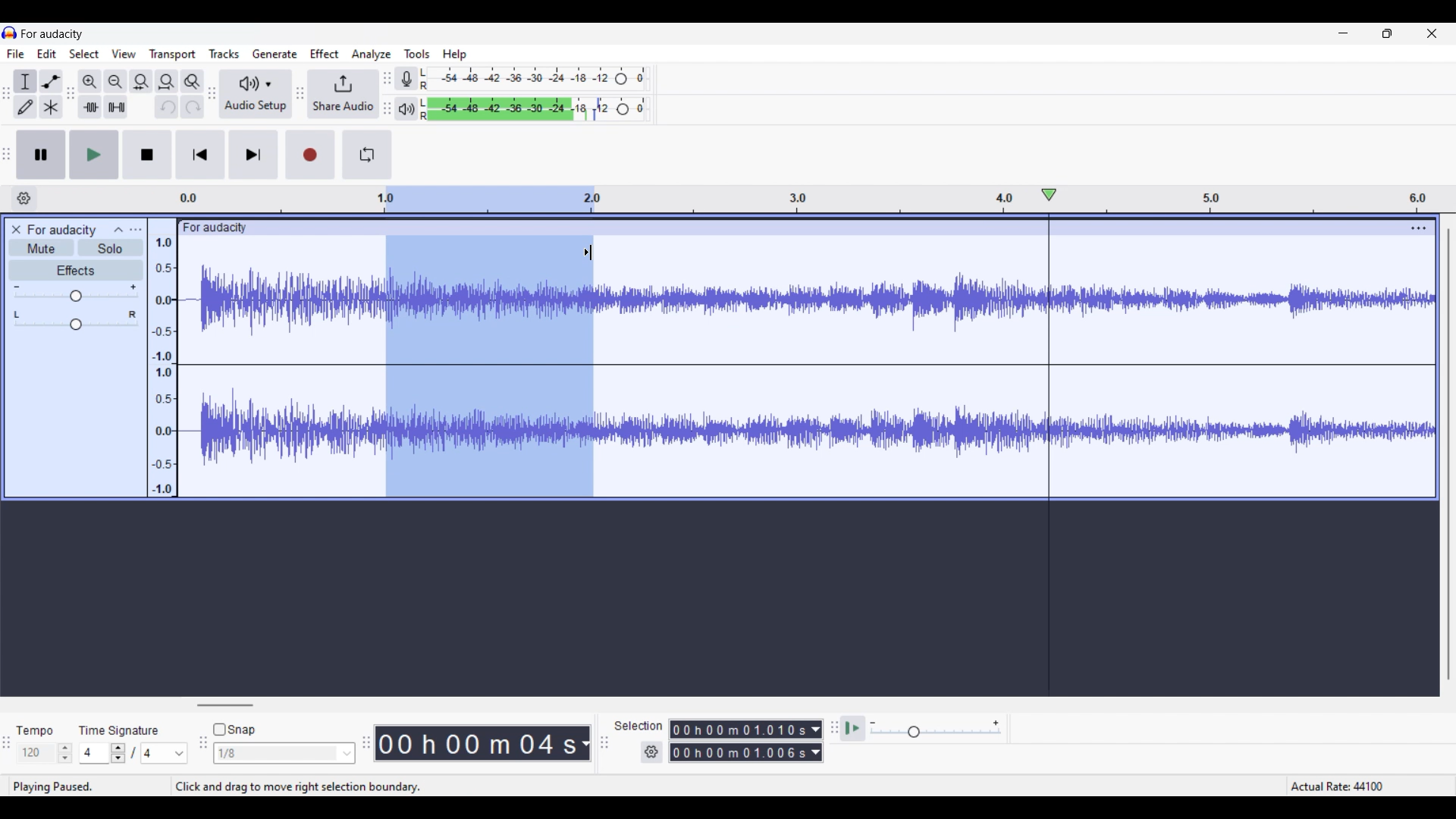  I want to click on Close track, so click(16, 230).